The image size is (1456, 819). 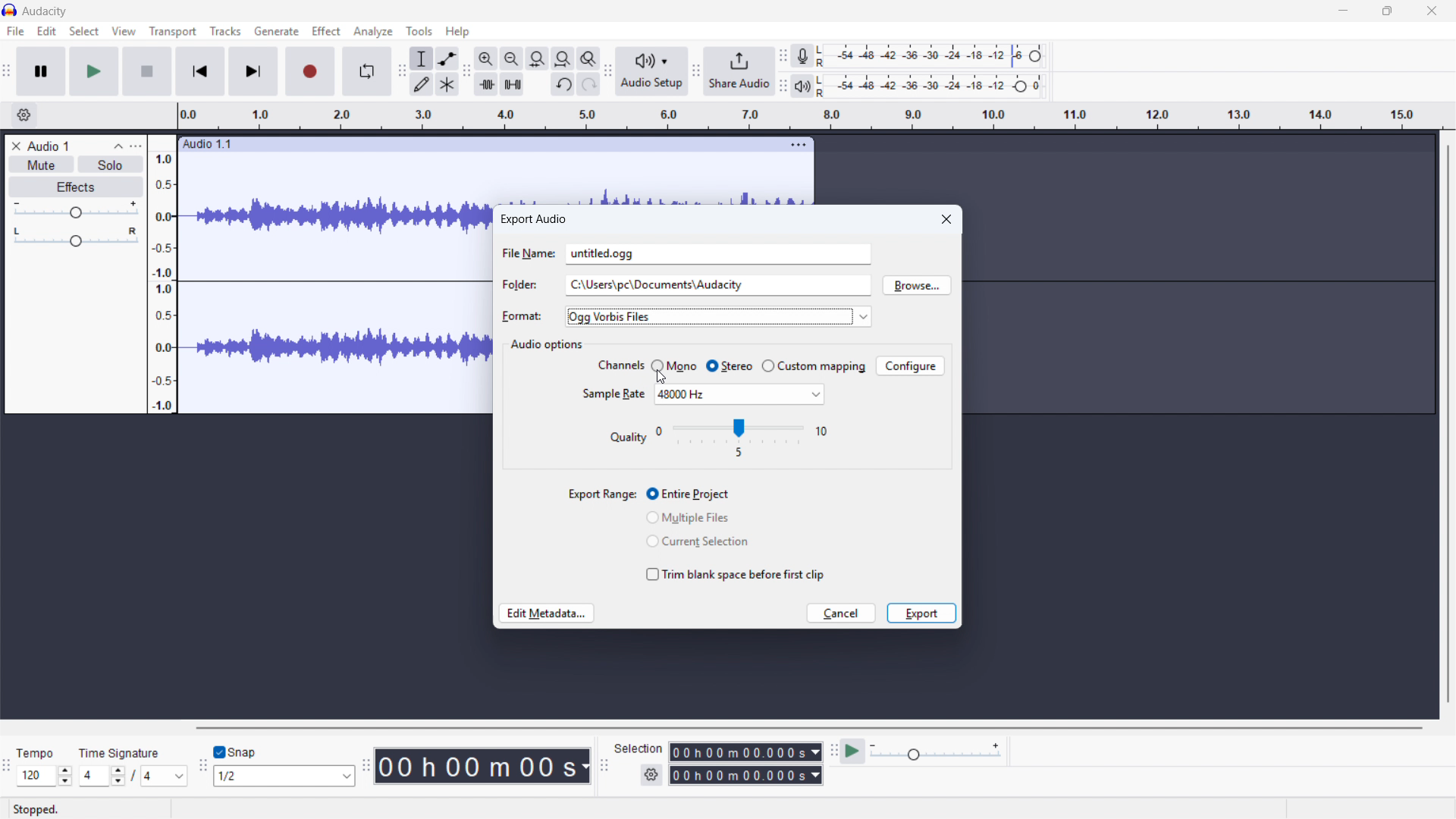 What do you see at coordinates (529, 256) in the screenshot?
I see `file name` at bounding box center [529, 256].